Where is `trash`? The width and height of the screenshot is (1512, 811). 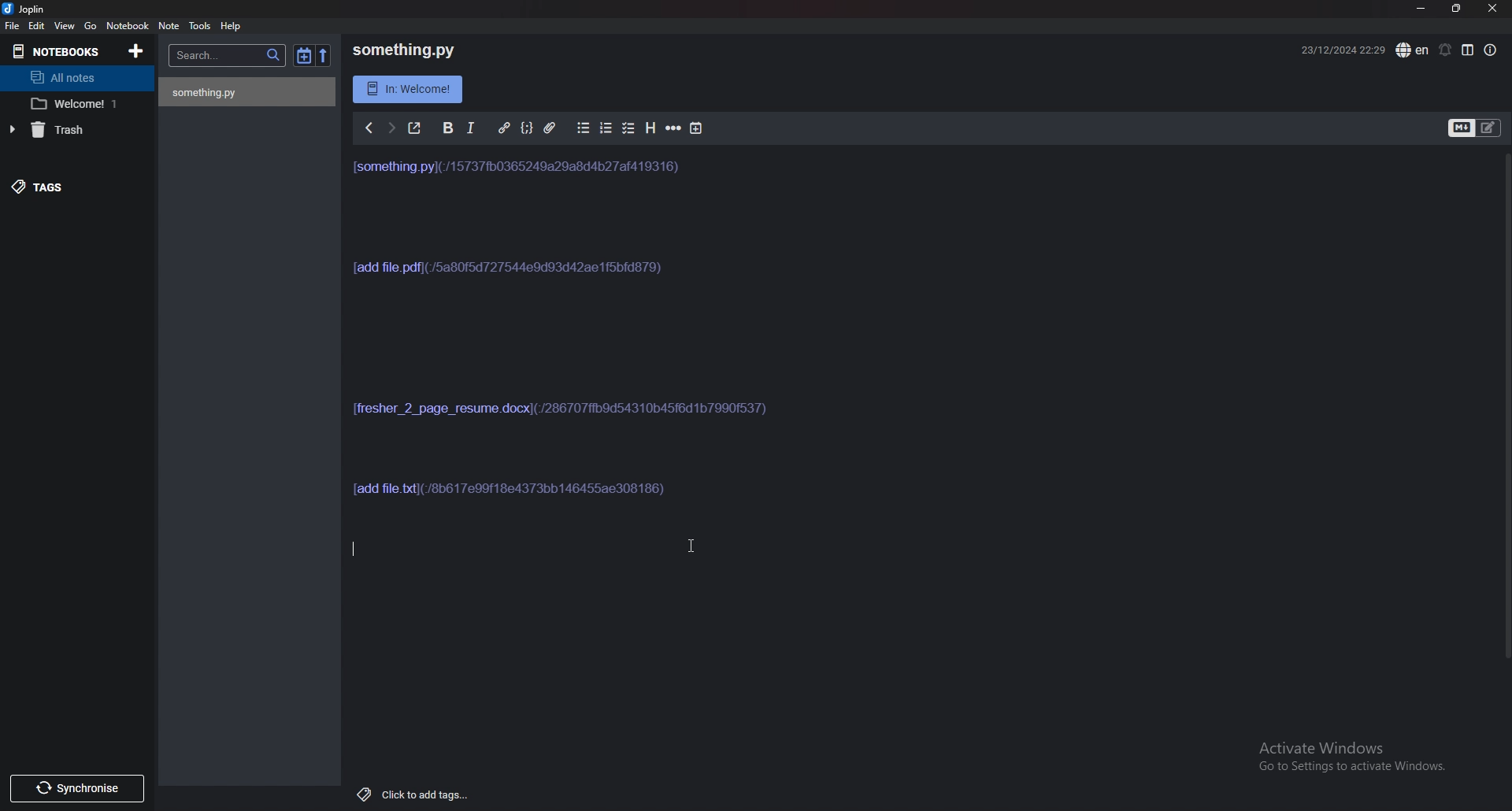
trash is located at coordinates (69, 131).